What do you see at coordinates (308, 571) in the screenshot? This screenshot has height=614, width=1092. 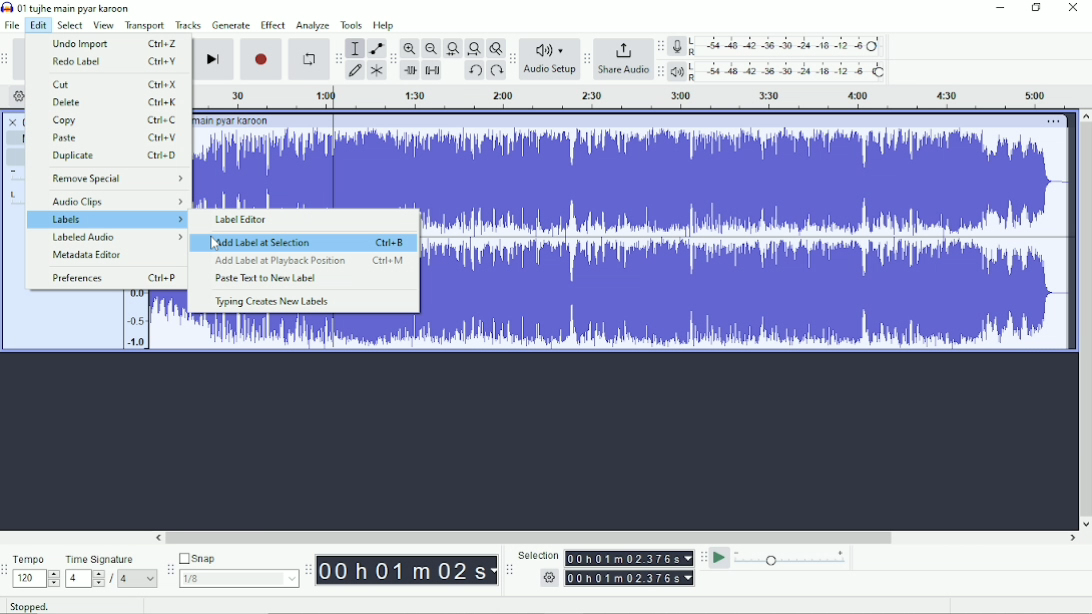 I see `Audacity timetoolbar` at bounding box center [308, 571].